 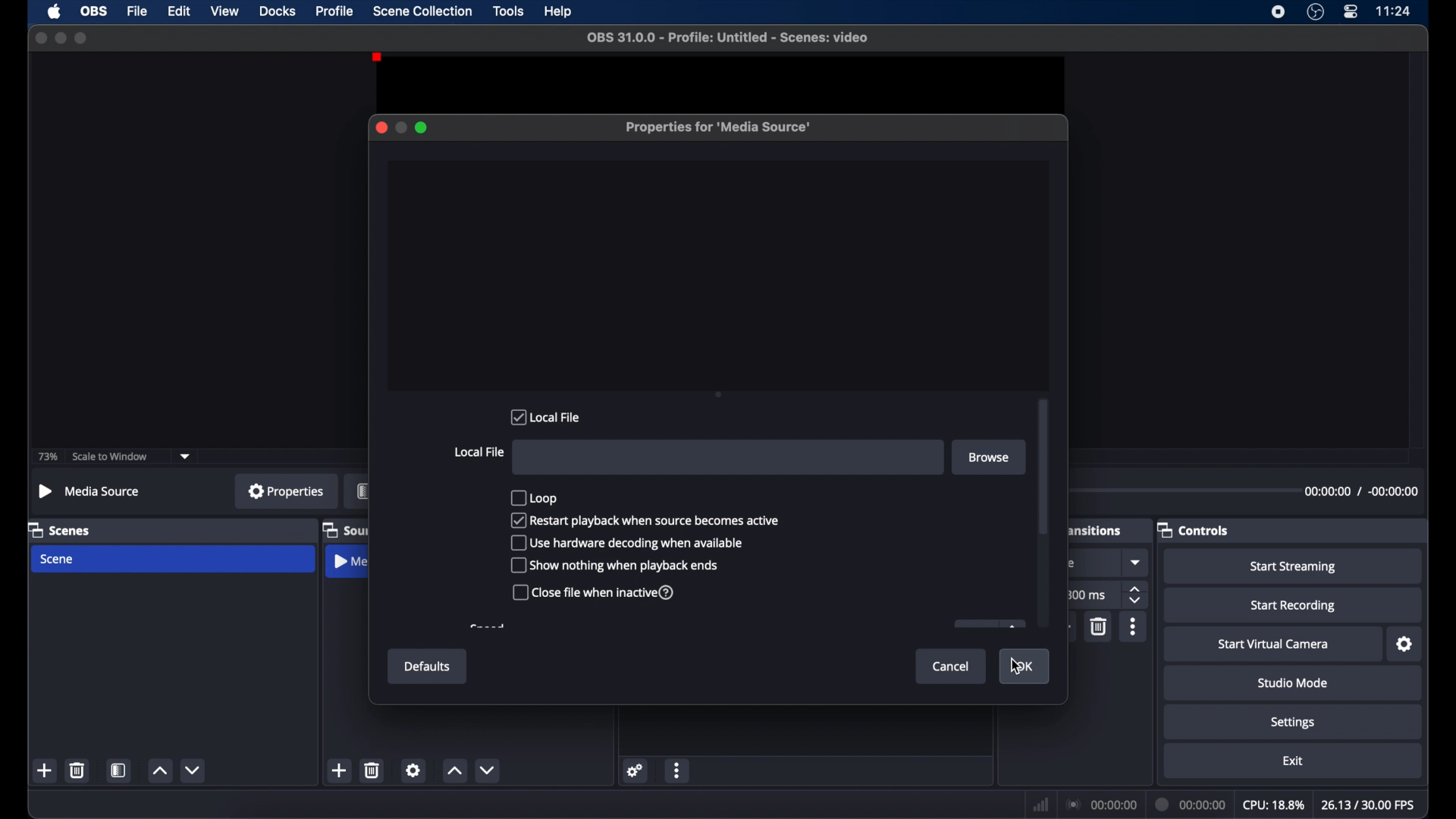 I want to click on duration, so click(x=1191, y=805).